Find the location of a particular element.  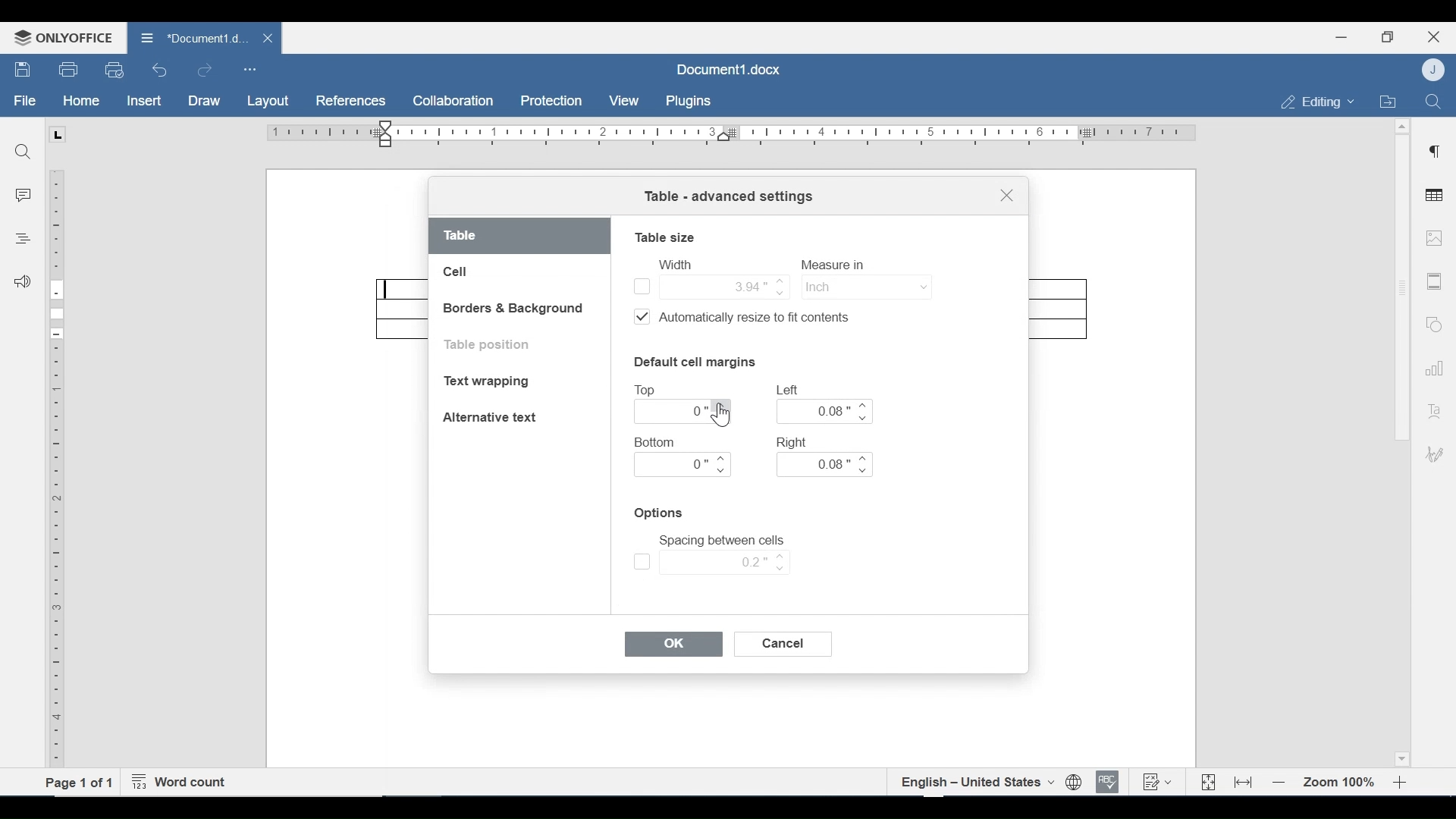

Open Filelocation is located at coordinates (1387, 100).